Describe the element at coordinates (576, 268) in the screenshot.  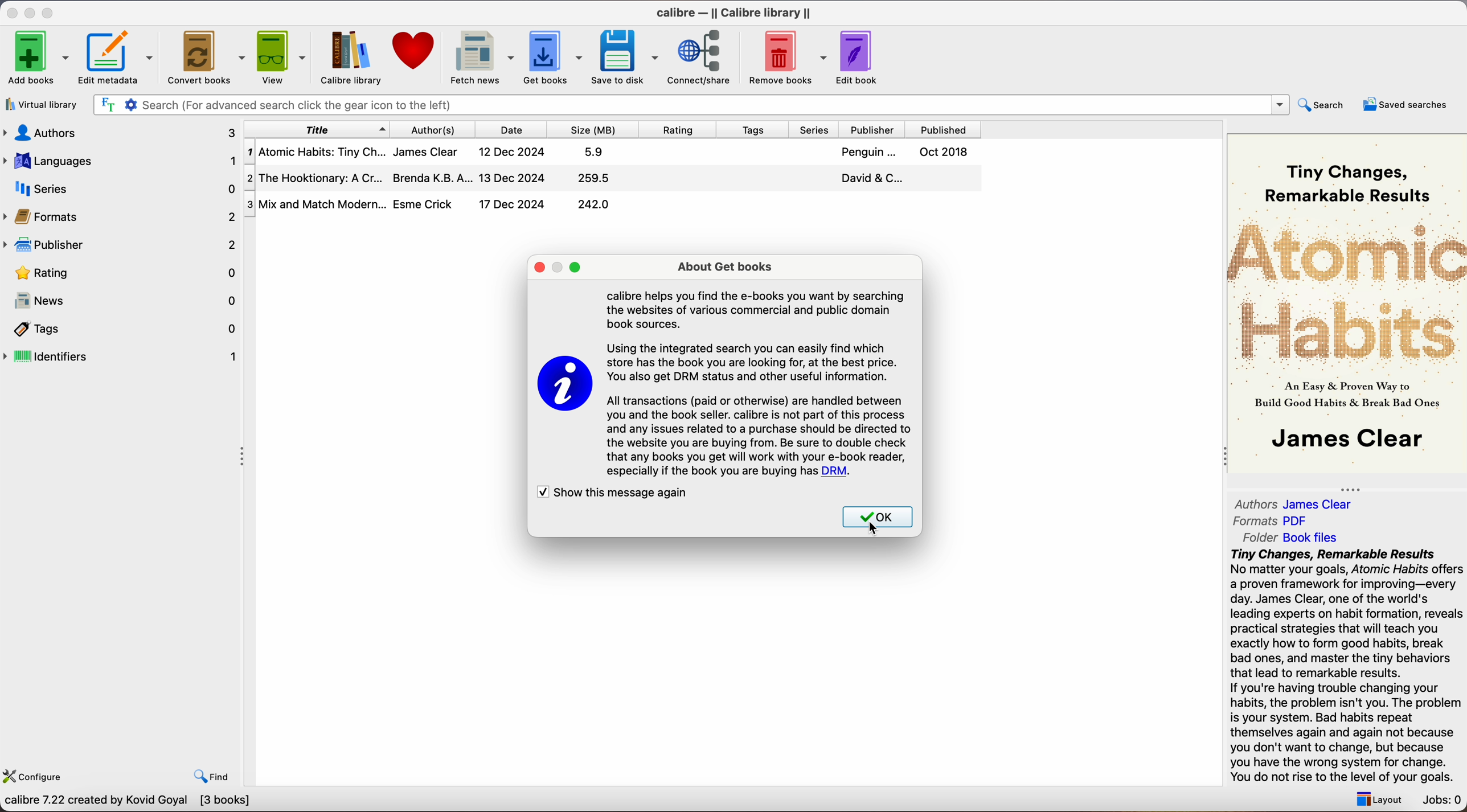
I see `maximize` at that location.